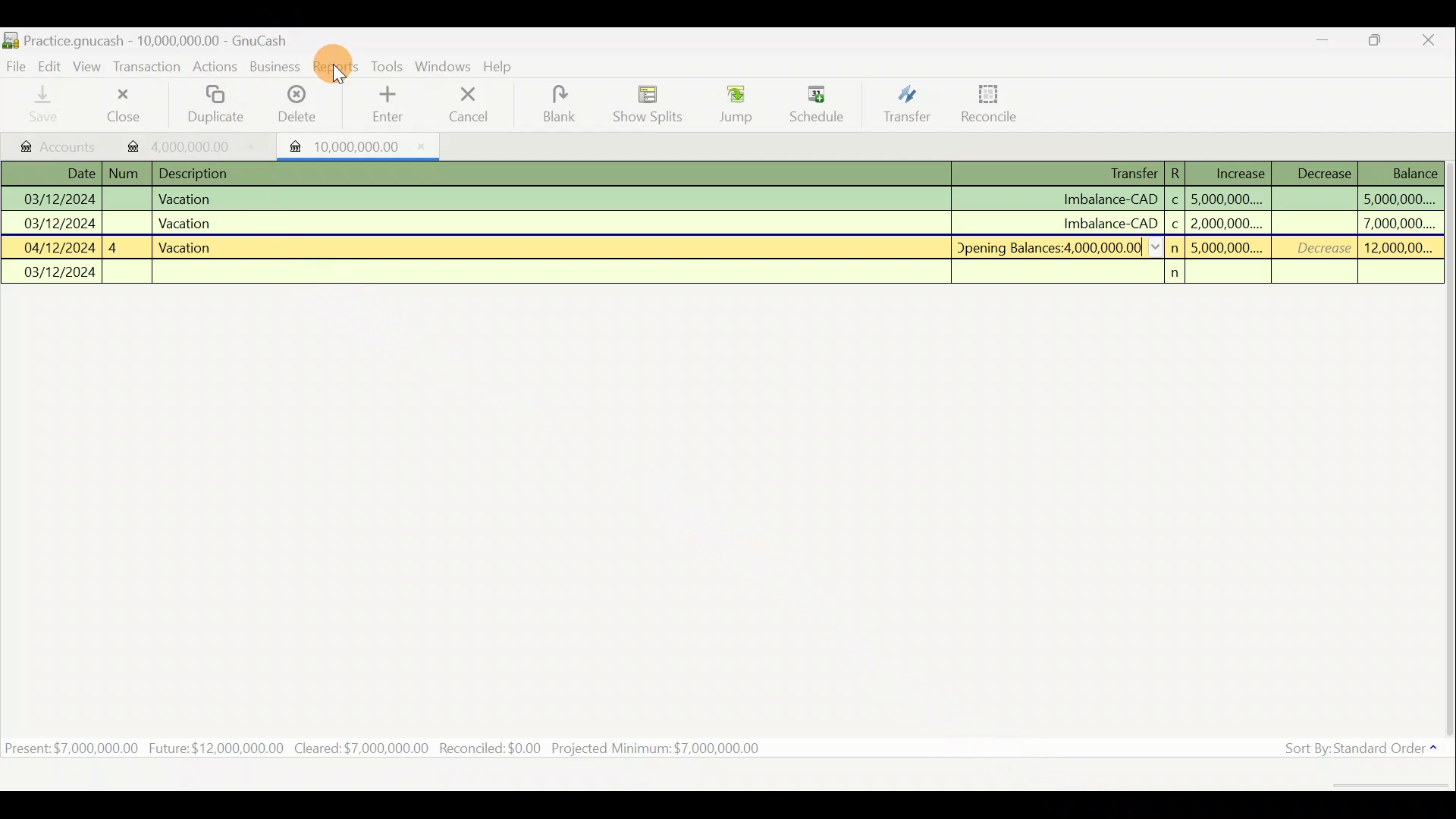 The width and height of the screenshot is (1456, 819). What do you see at coordinates (184, 223) in the screenshot?
I see `Vacation` at bounding box center [184, 223].